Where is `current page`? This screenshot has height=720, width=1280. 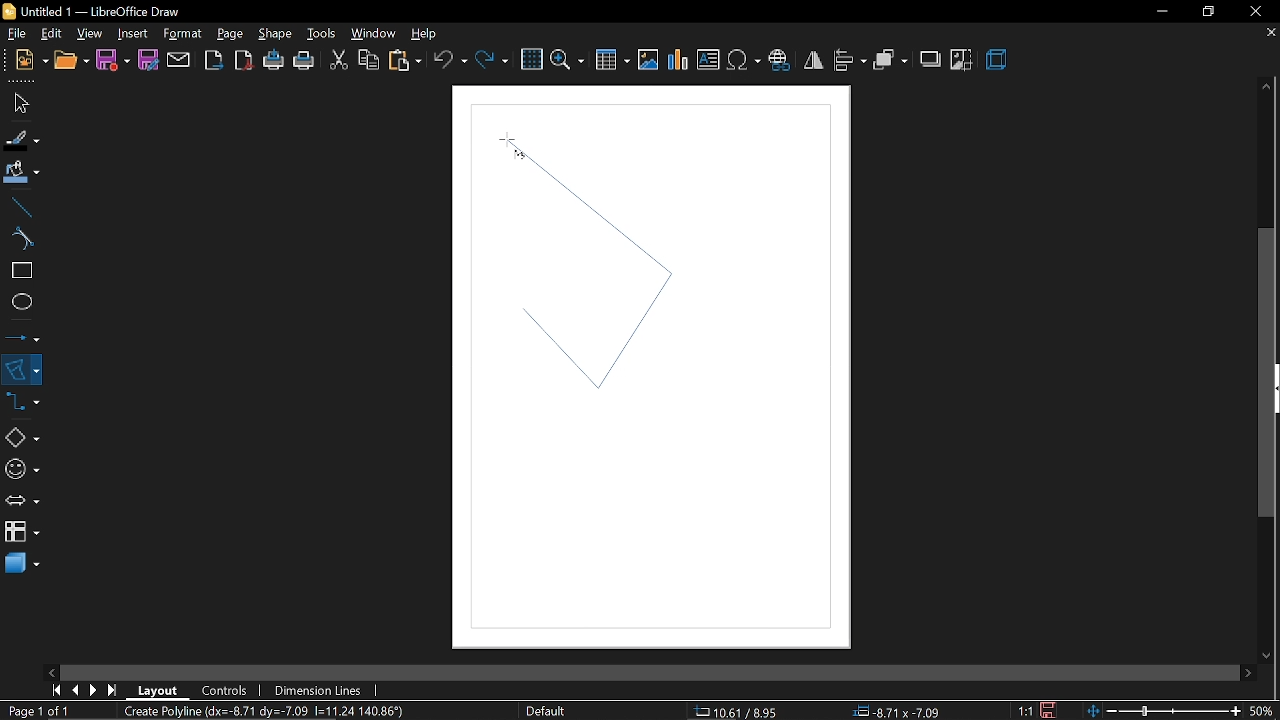
current page is located at coordinates (42, 711).